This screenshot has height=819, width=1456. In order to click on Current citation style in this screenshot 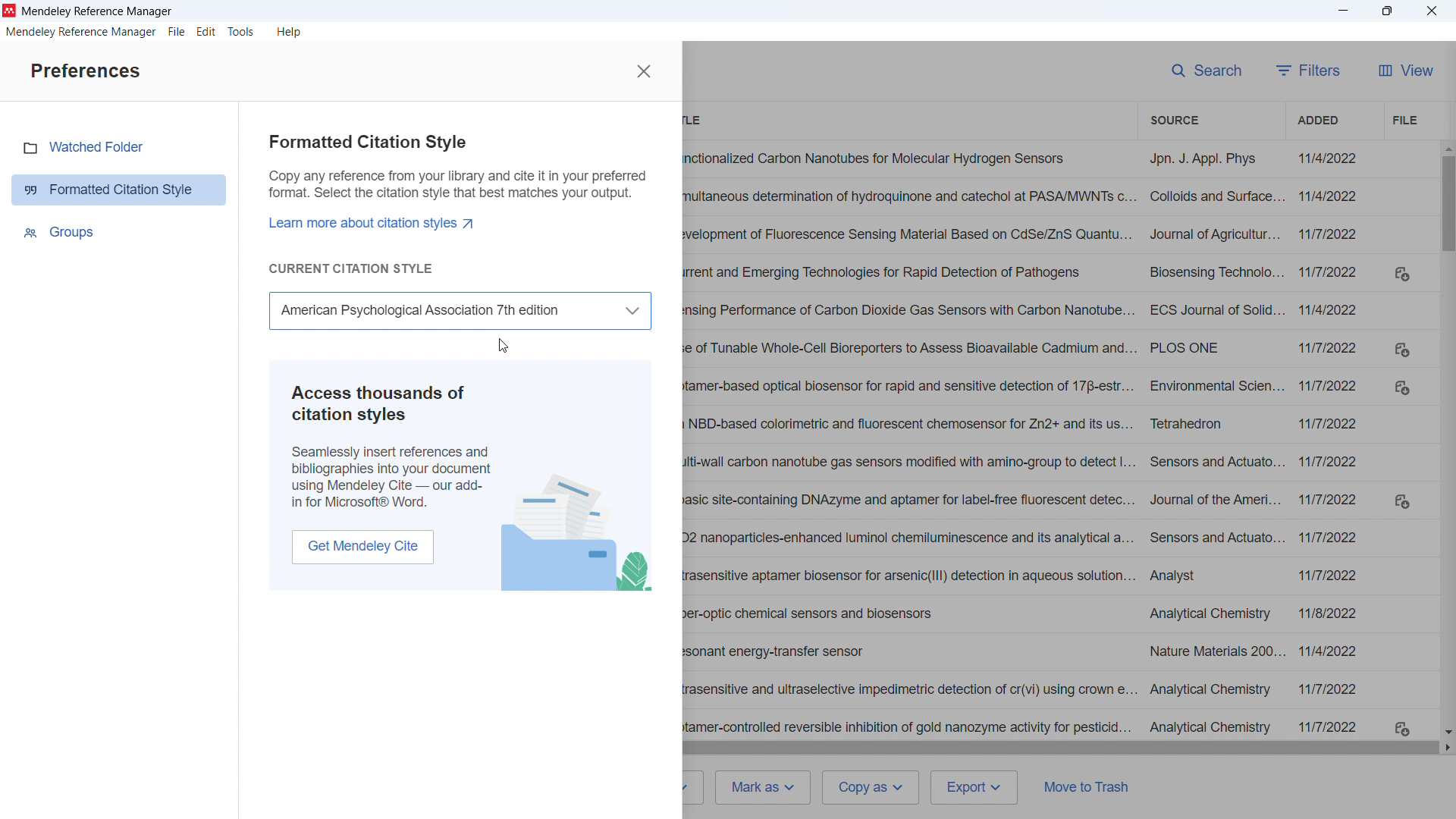, I will do `click(350, 268)`.